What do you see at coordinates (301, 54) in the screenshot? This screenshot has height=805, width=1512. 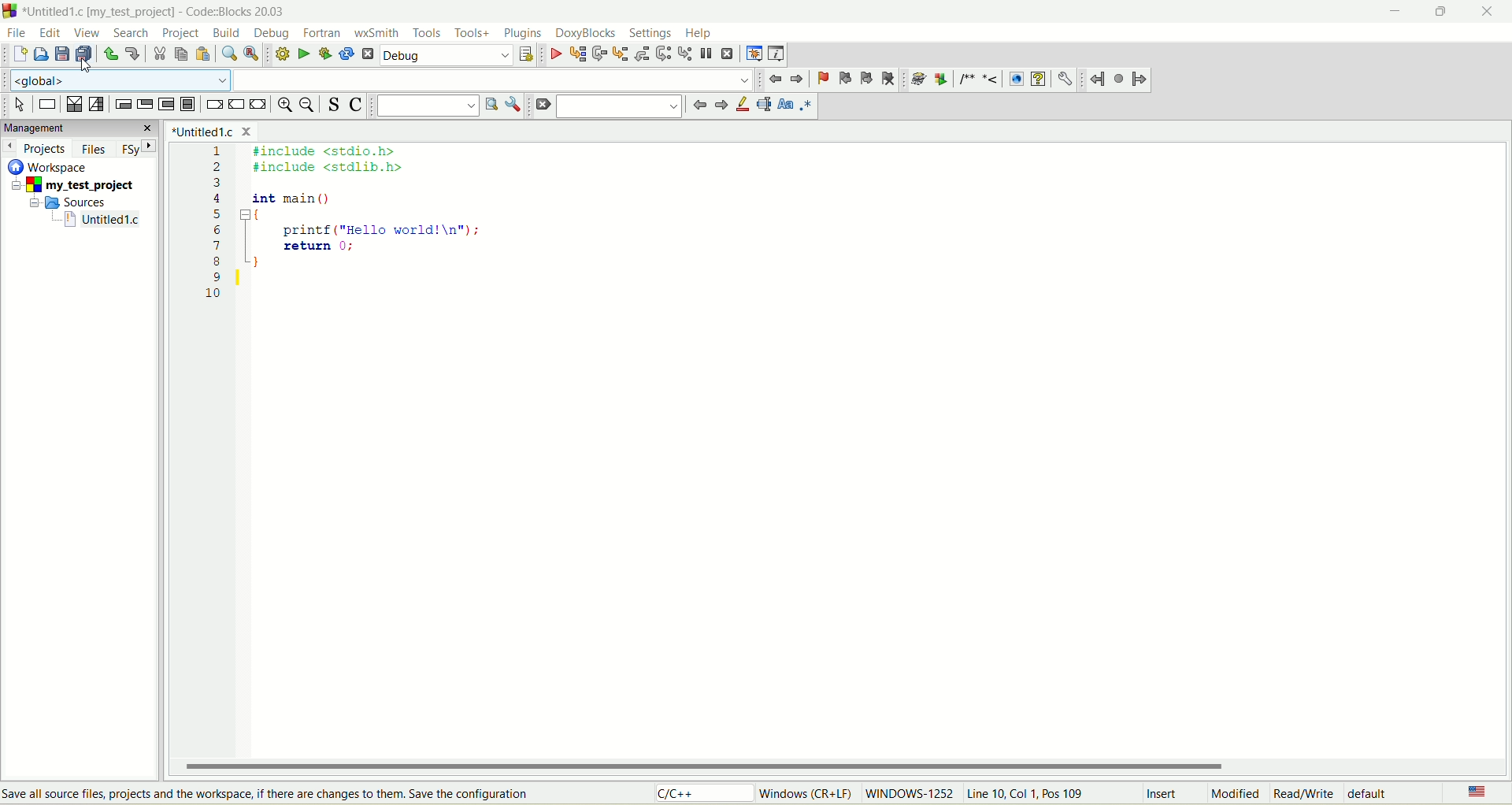 I see `run` at bounding box center [301, 54].